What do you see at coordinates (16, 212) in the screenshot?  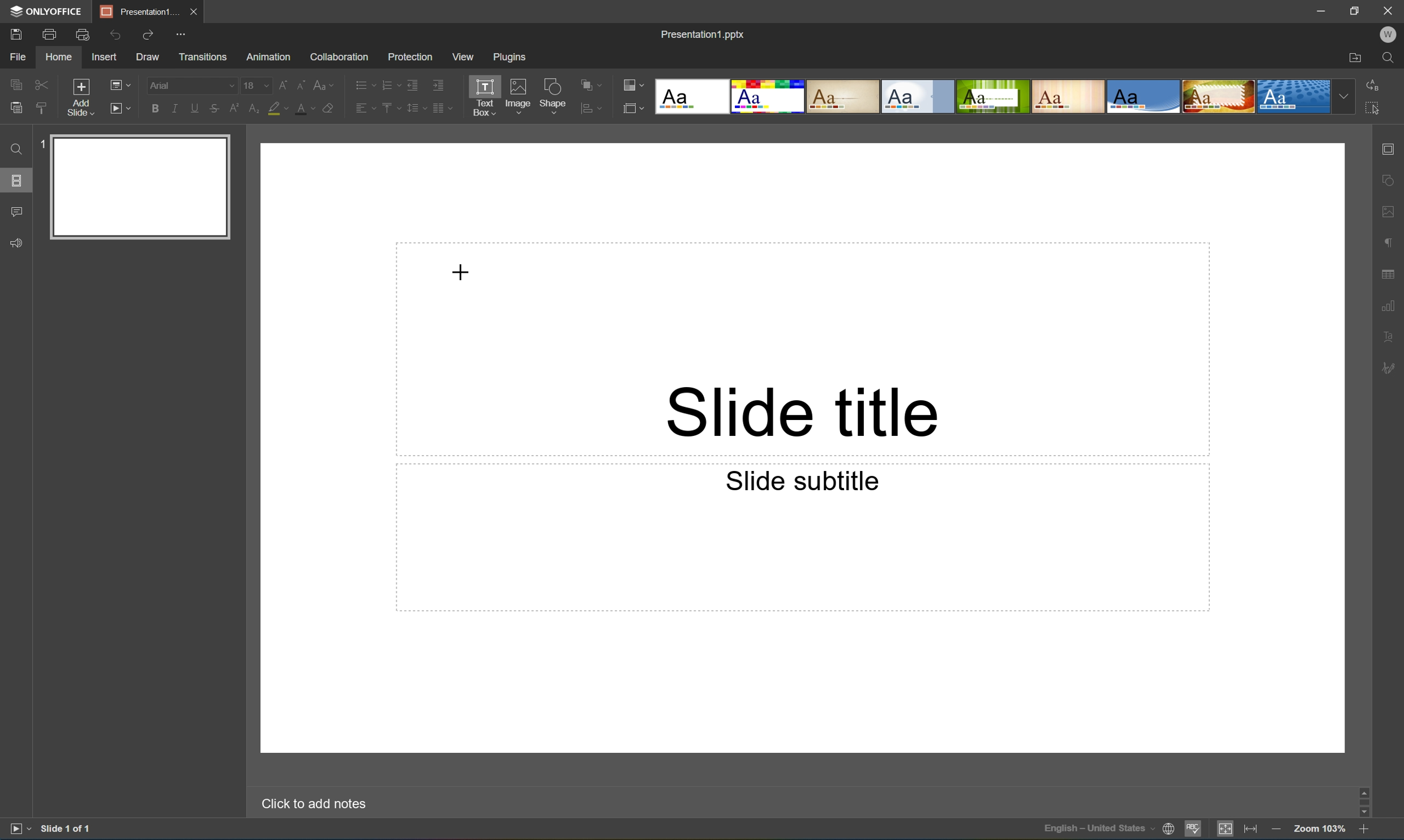 I see `Comments` at bounding box center [16, 212].